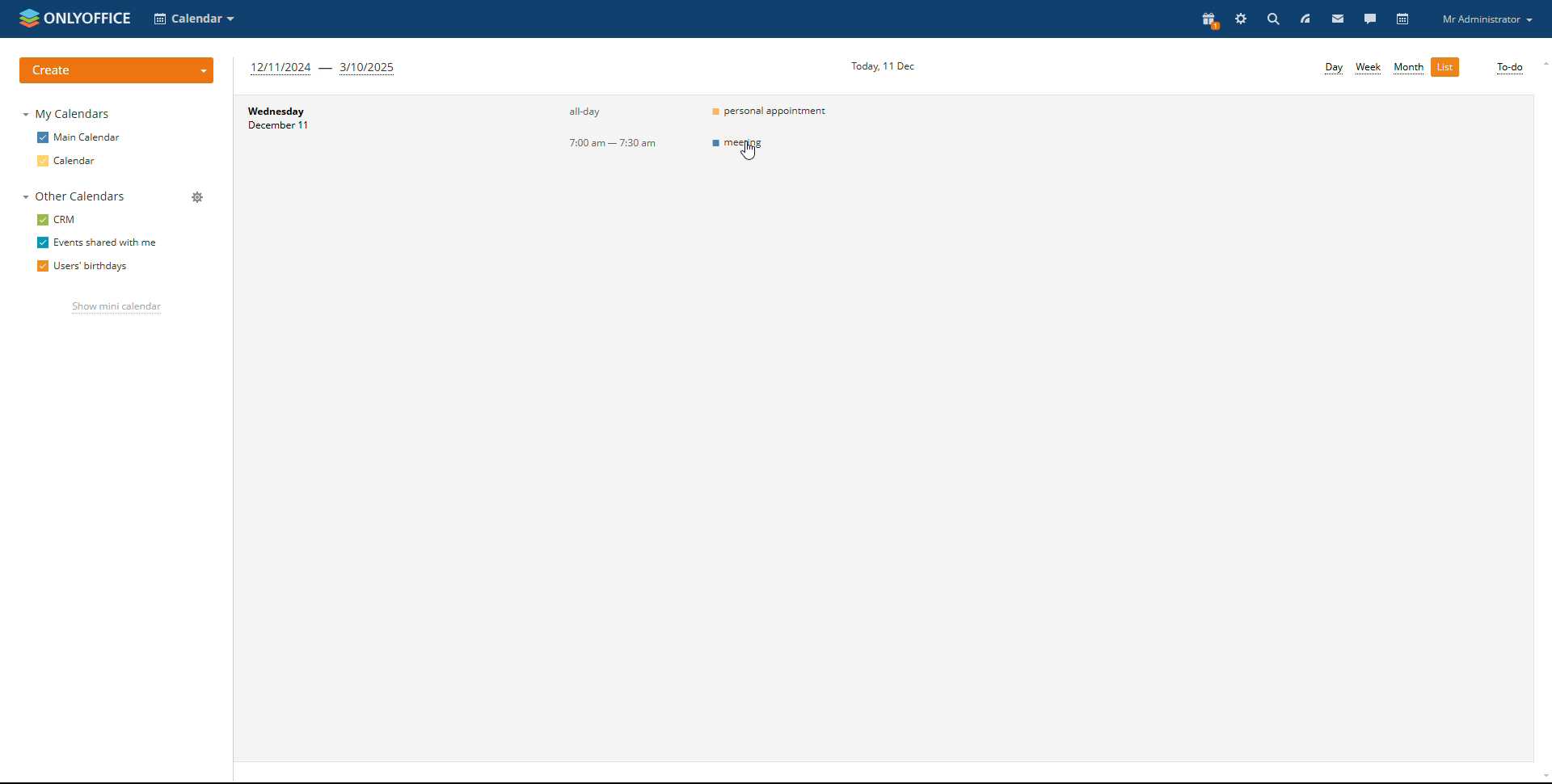  I want to click on day view, so click(1335, 69).